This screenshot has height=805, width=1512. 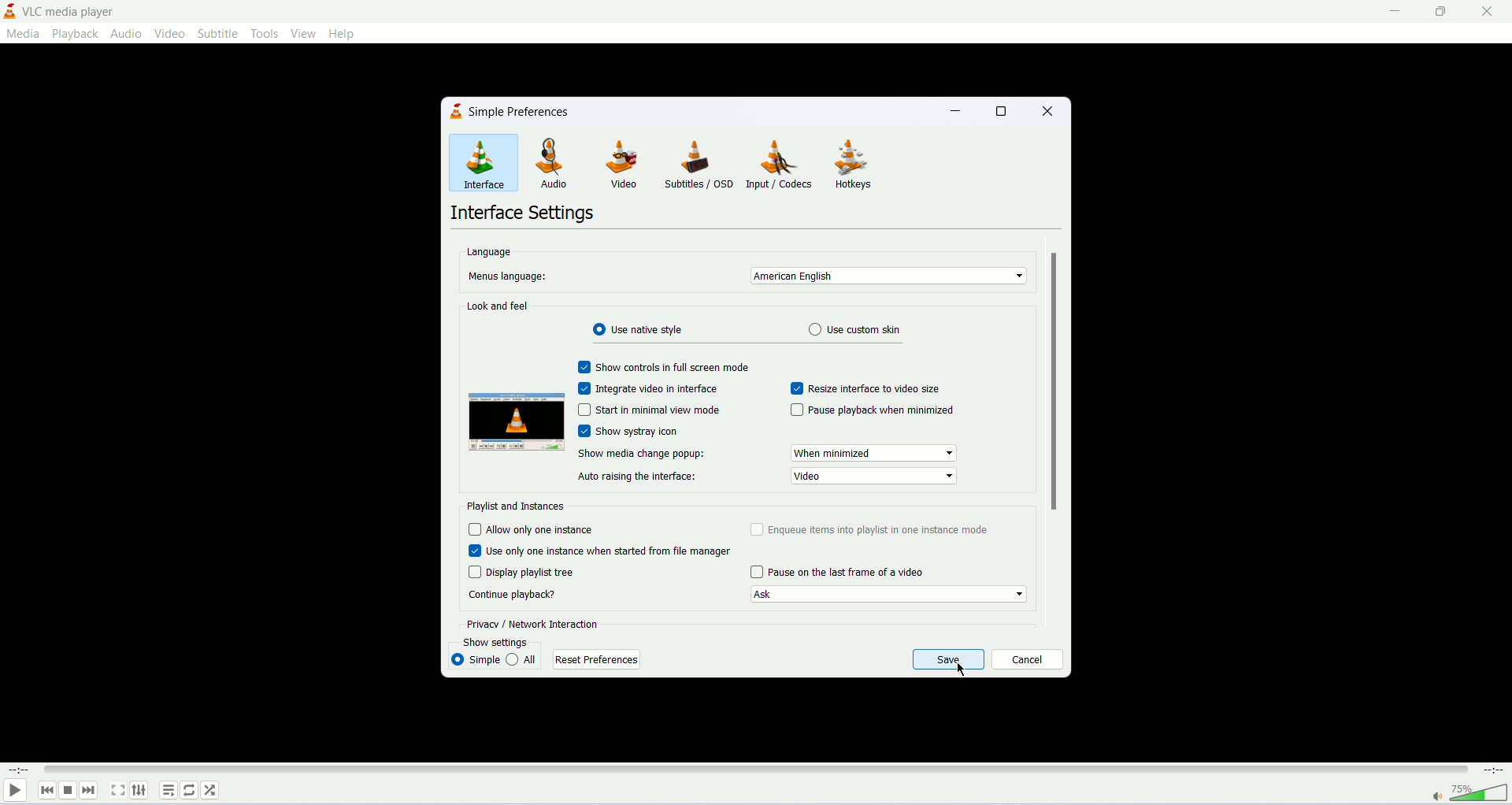 I want to click on hotkeys, so click(x=856, y=165).